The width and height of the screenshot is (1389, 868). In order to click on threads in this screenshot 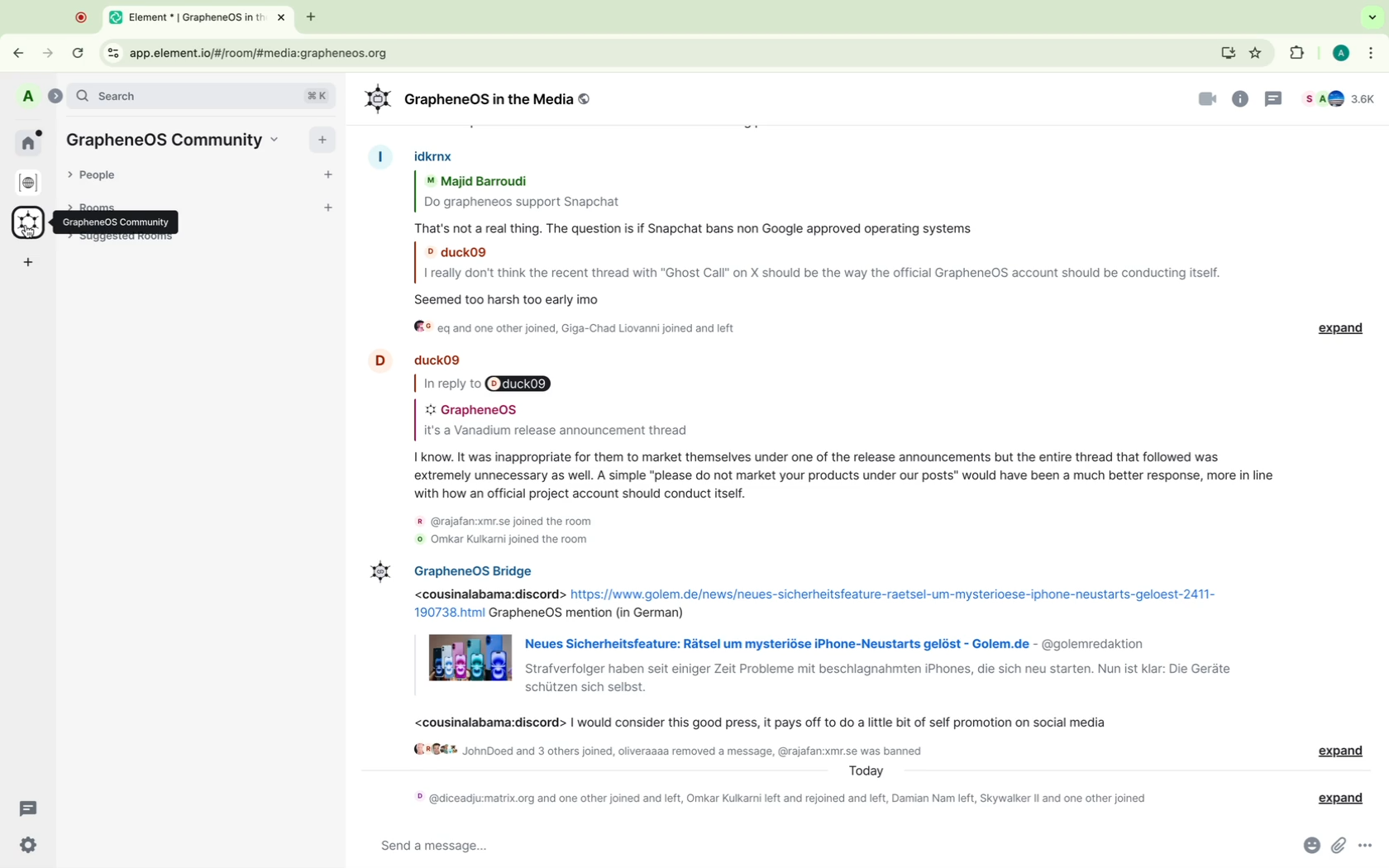, I will do `click(30, 807)`.